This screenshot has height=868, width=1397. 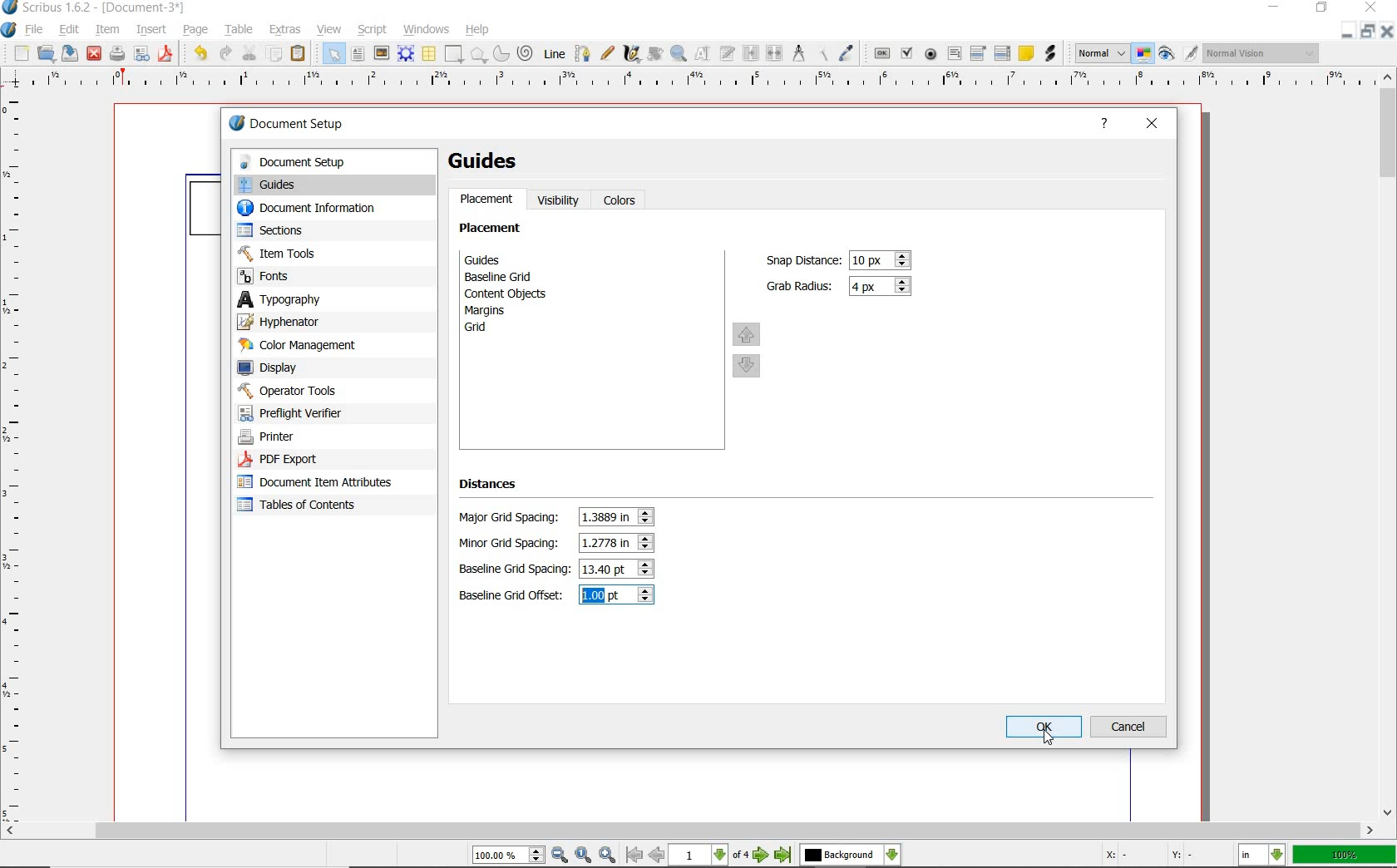 What do you see at coordinates (608, 518) in the screenshot?
I see `major grid spacing value` at bounding box center [608, 518].